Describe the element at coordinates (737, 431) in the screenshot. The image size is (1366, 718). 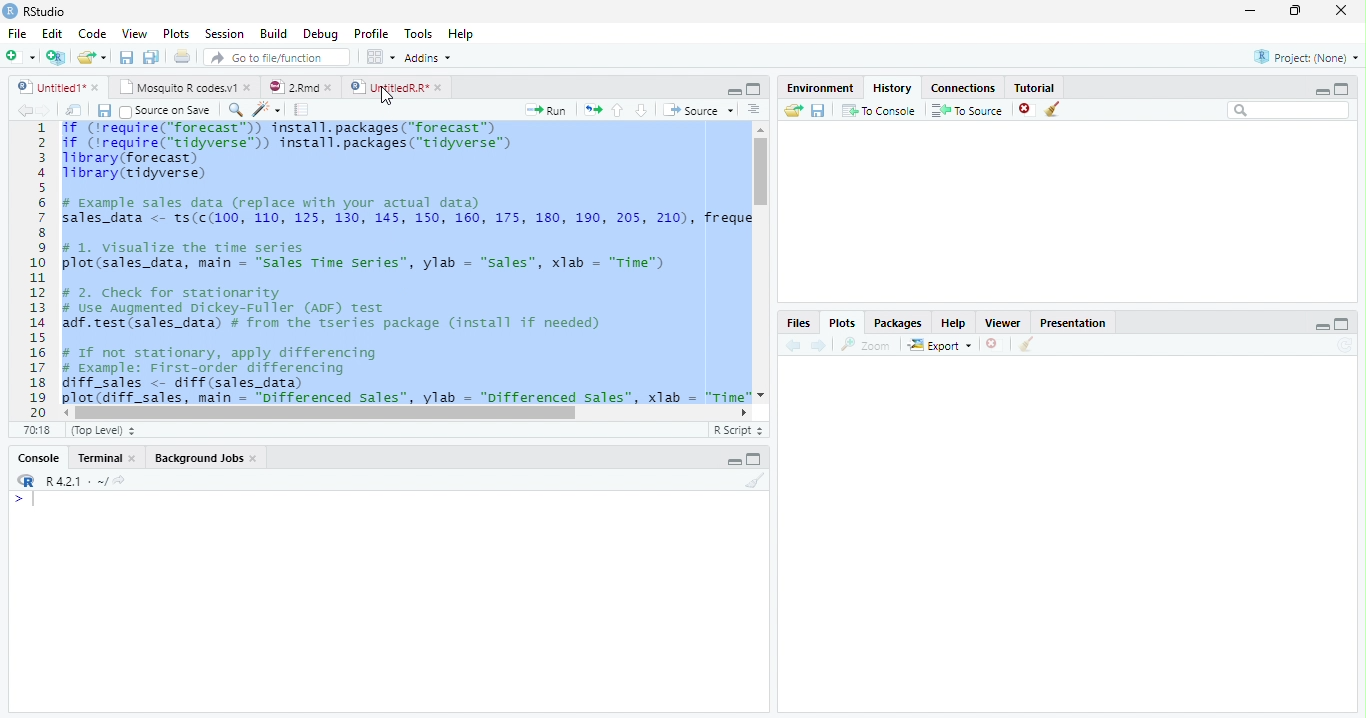
I see `R Script` at that location.